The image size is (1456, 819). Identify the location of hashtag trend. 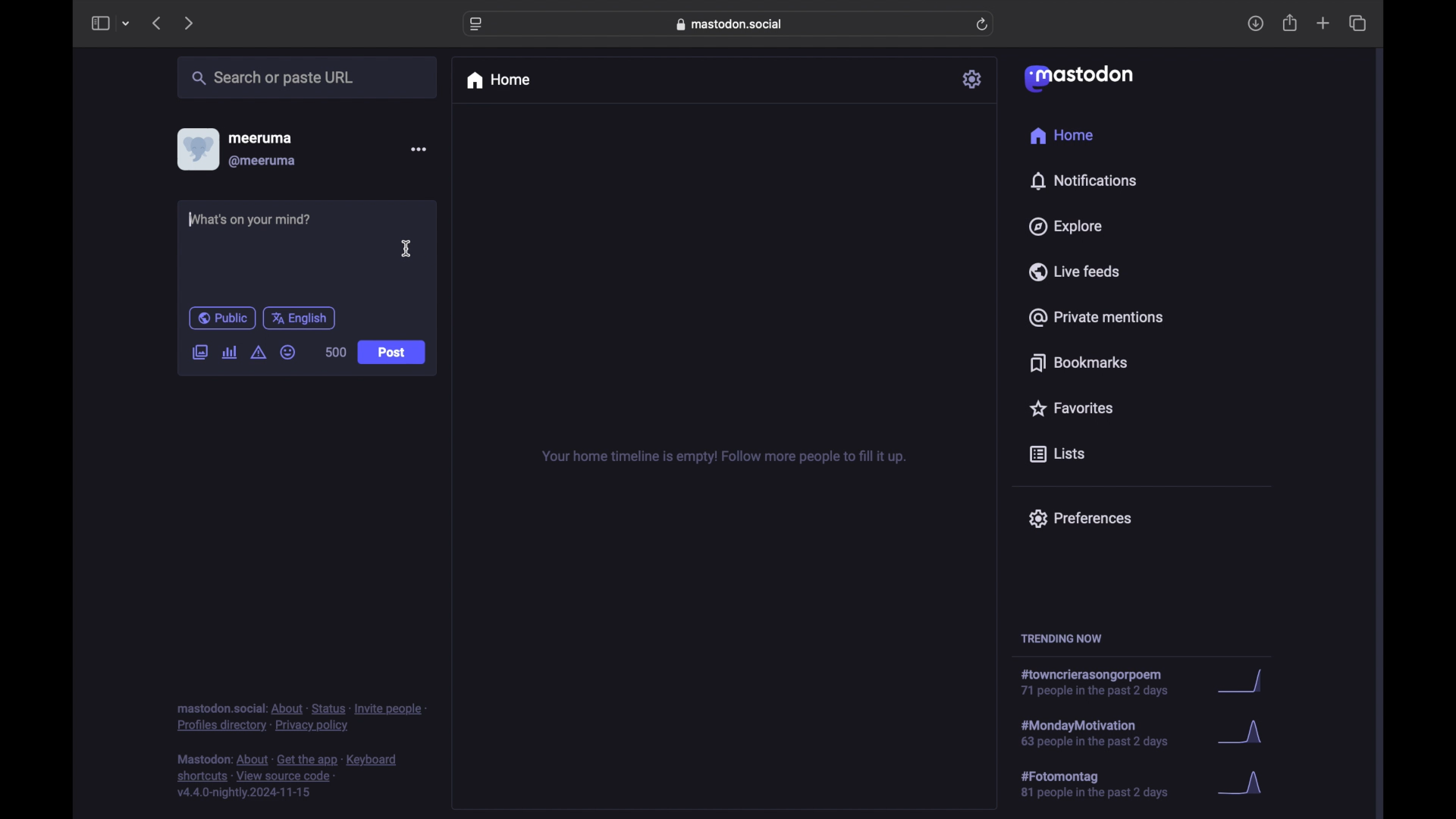
(1100, 682).